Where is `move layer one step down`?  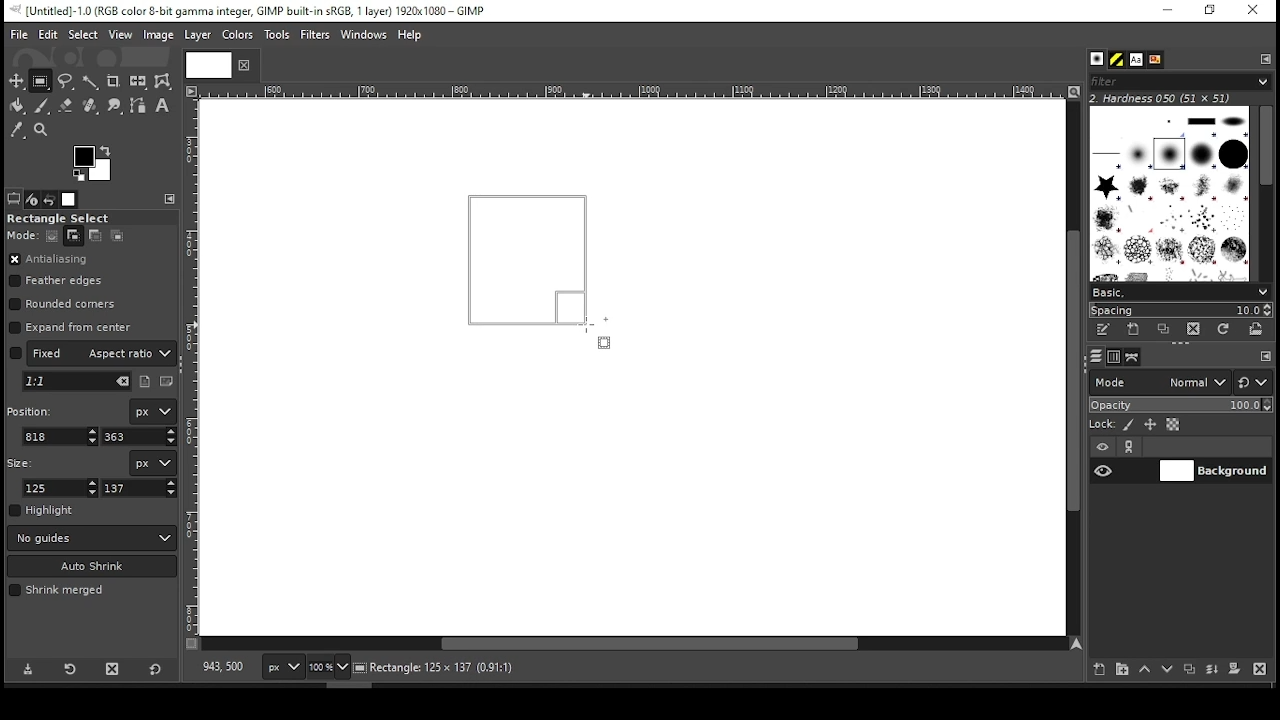
move layer one step down is located at coordinates (1168, 671).